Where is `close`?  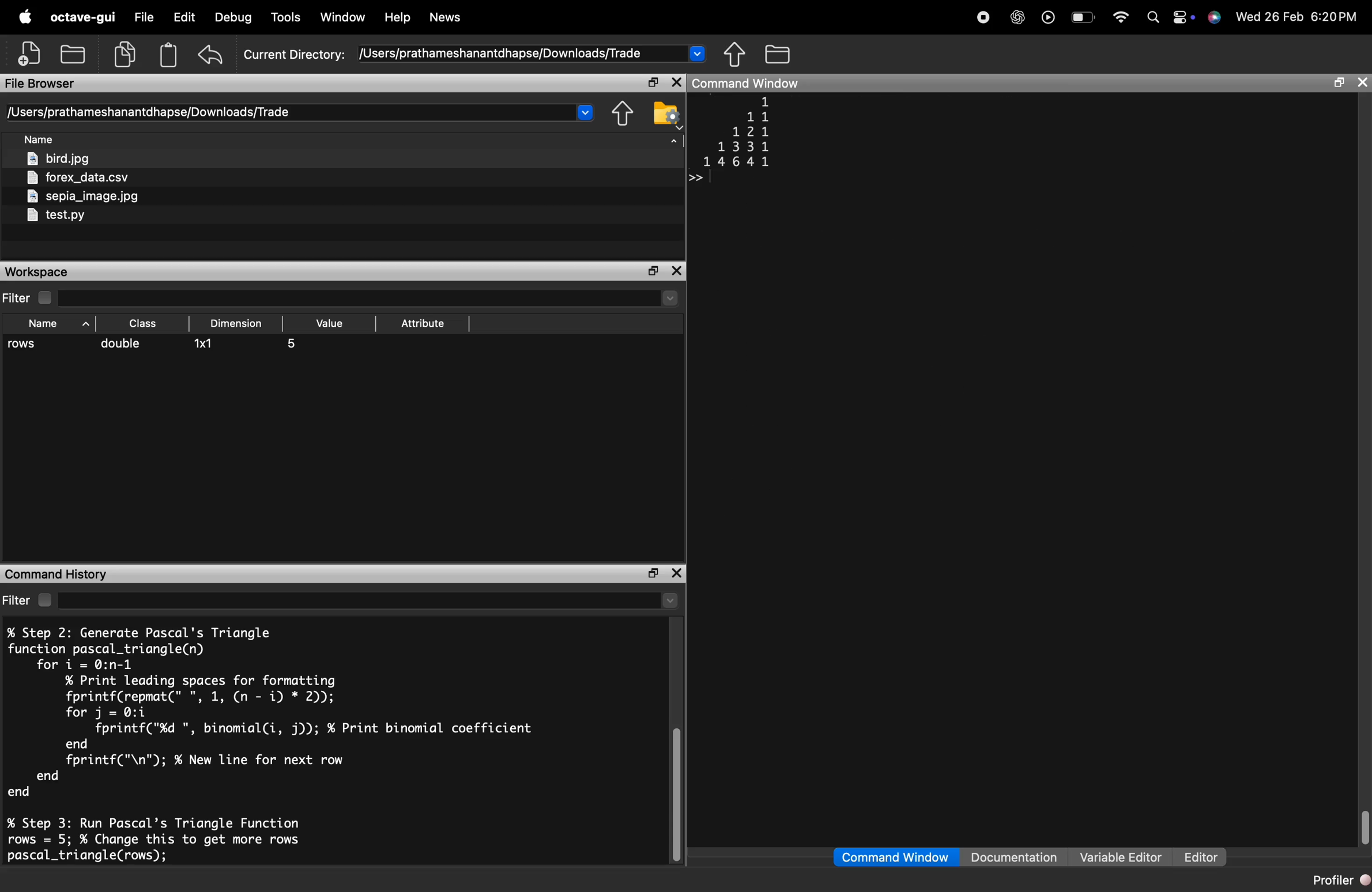
close is located at coordinates (677, 271).